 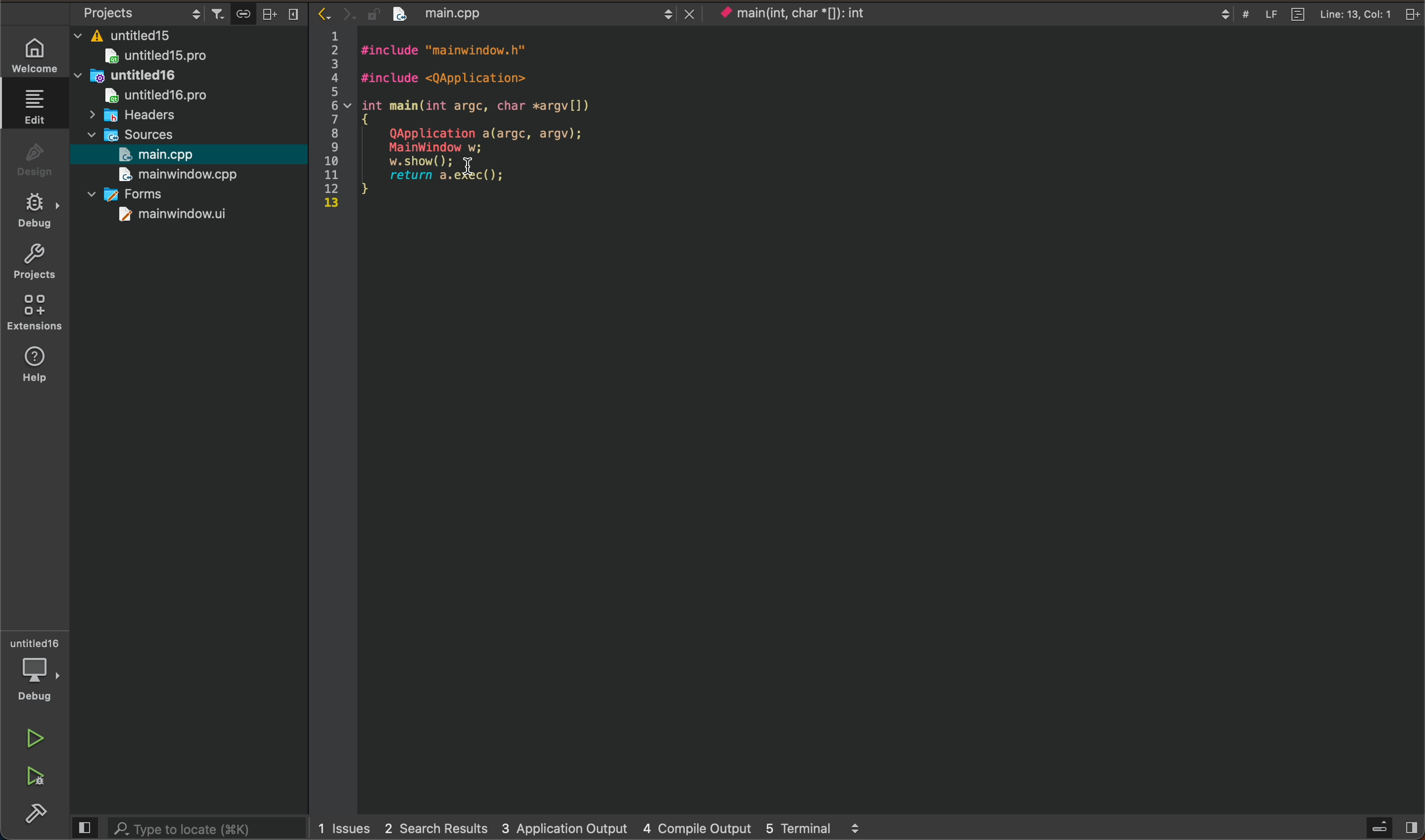 What do you see at coordinates (1386, 826) in the screenshot?
I see `open sidebar` at bounding box center [1386, 826].